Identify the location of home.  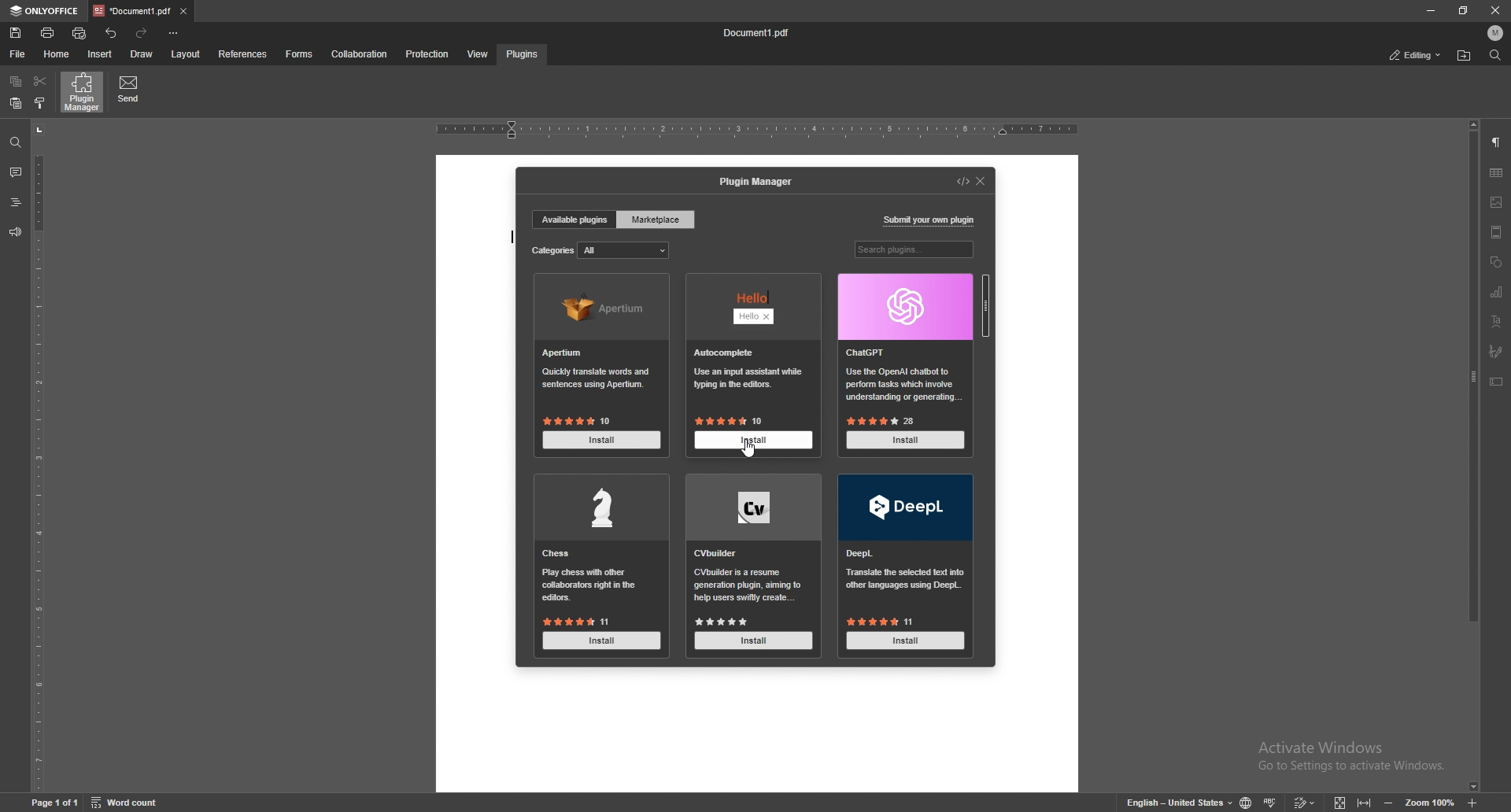
(57, 54).